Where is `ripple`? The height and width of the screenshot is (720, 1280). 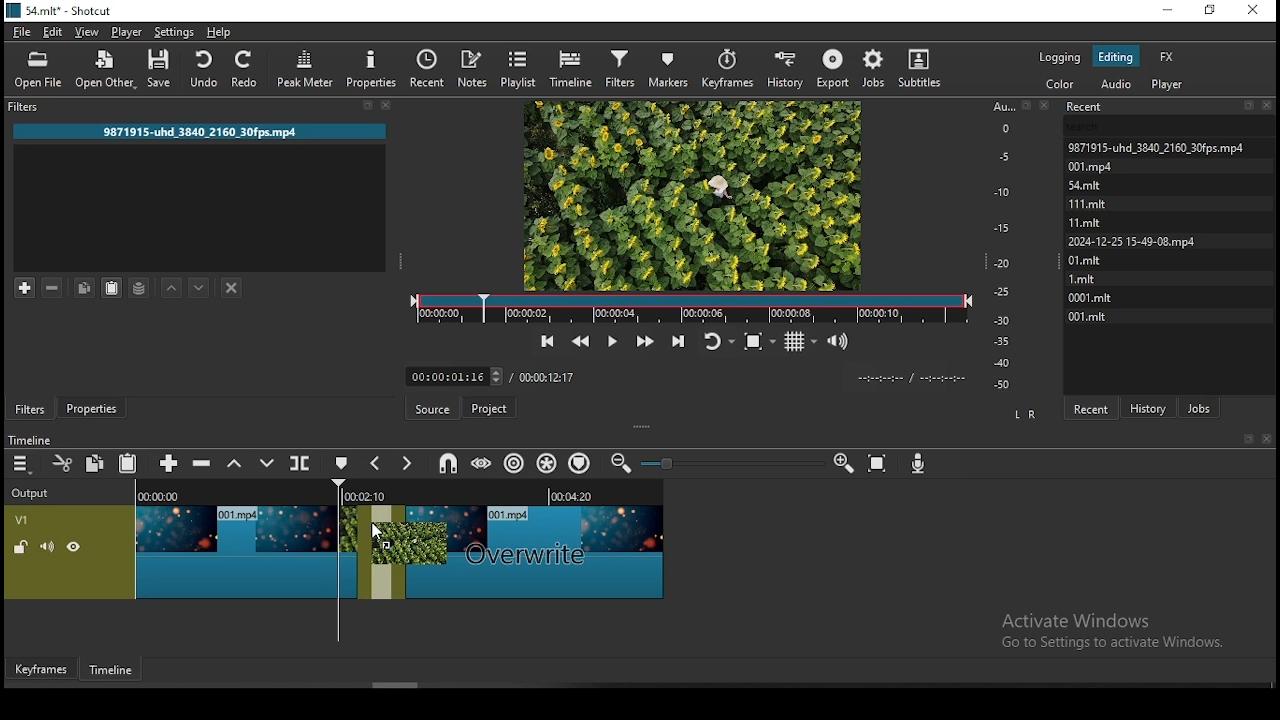 ripple is located at coordinates (511, 463).